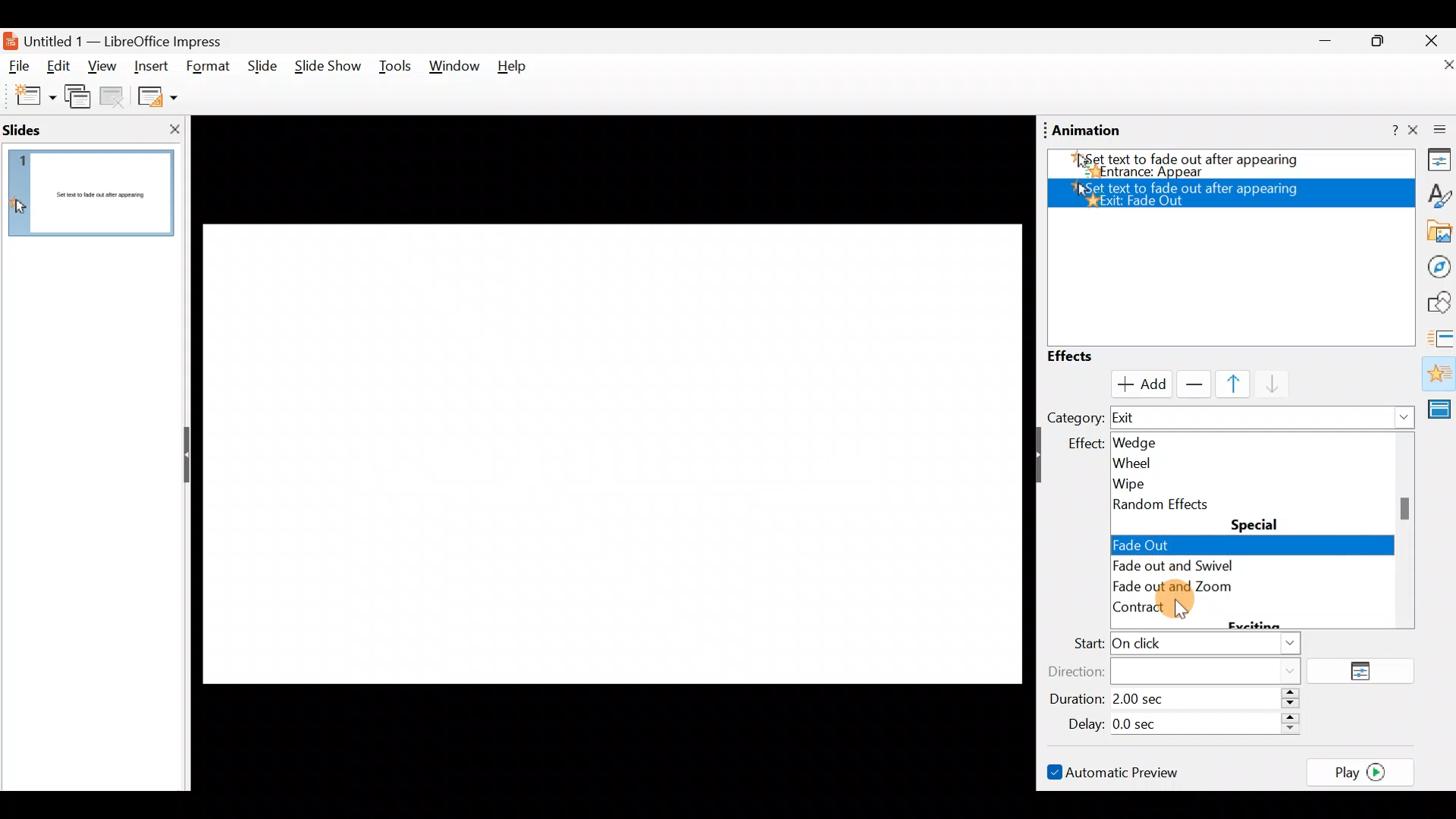  I want to click on Edit, so click(64, 67).